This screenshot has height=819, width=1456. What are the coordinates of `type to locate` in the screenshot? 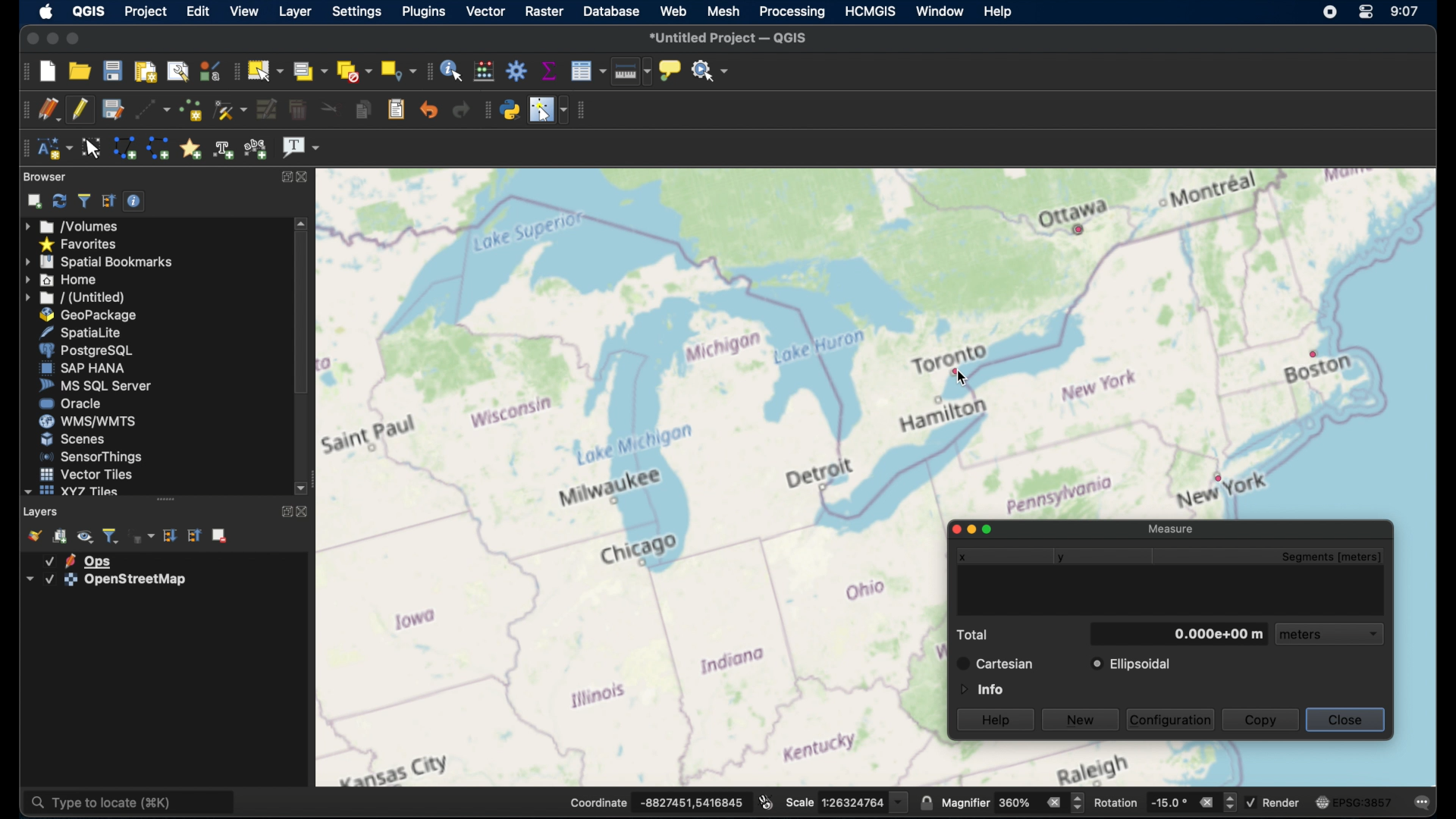 It's located at (133, 801).